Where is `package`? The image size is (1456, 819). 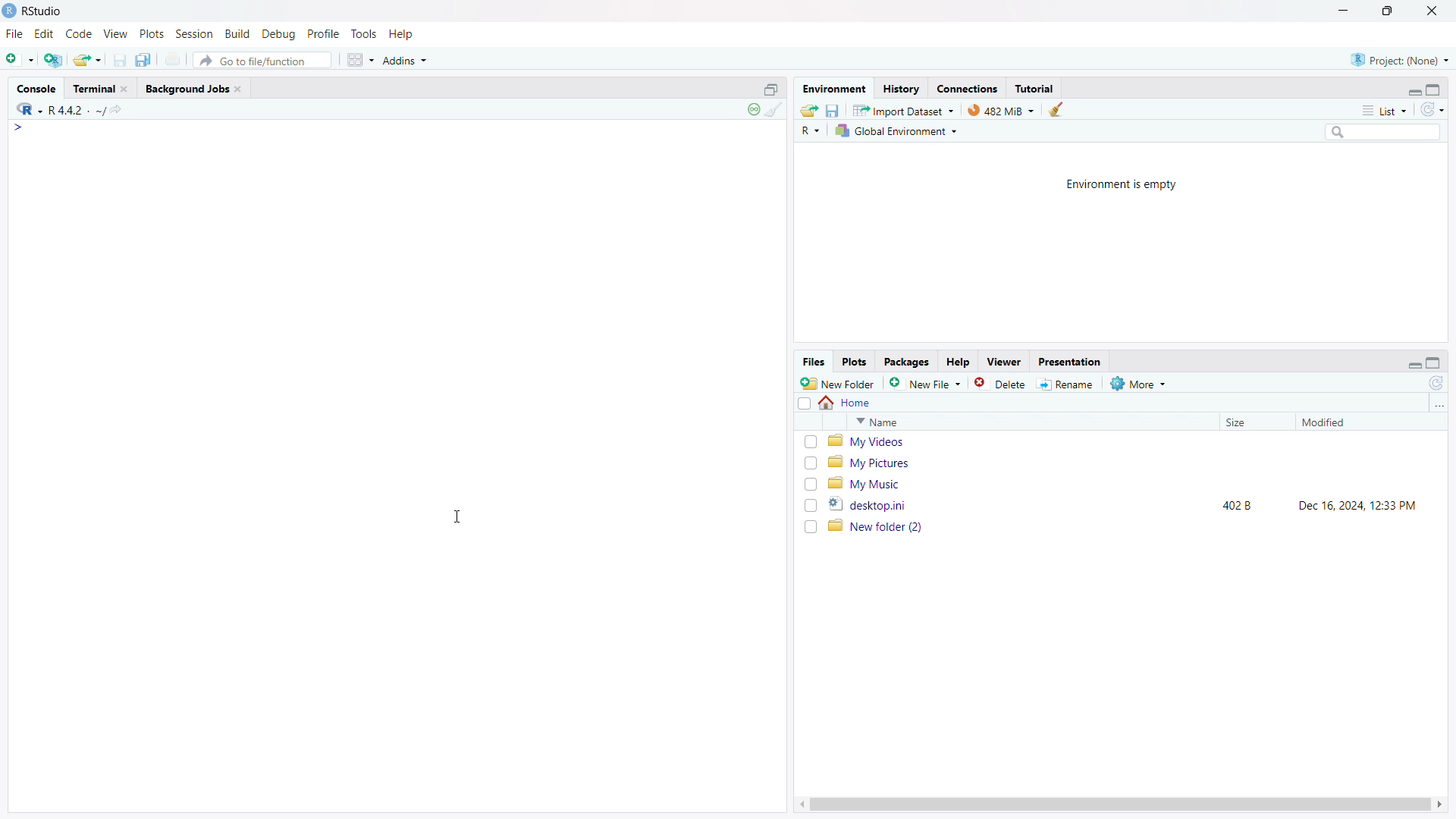
package is located at coordinates (906, 362).